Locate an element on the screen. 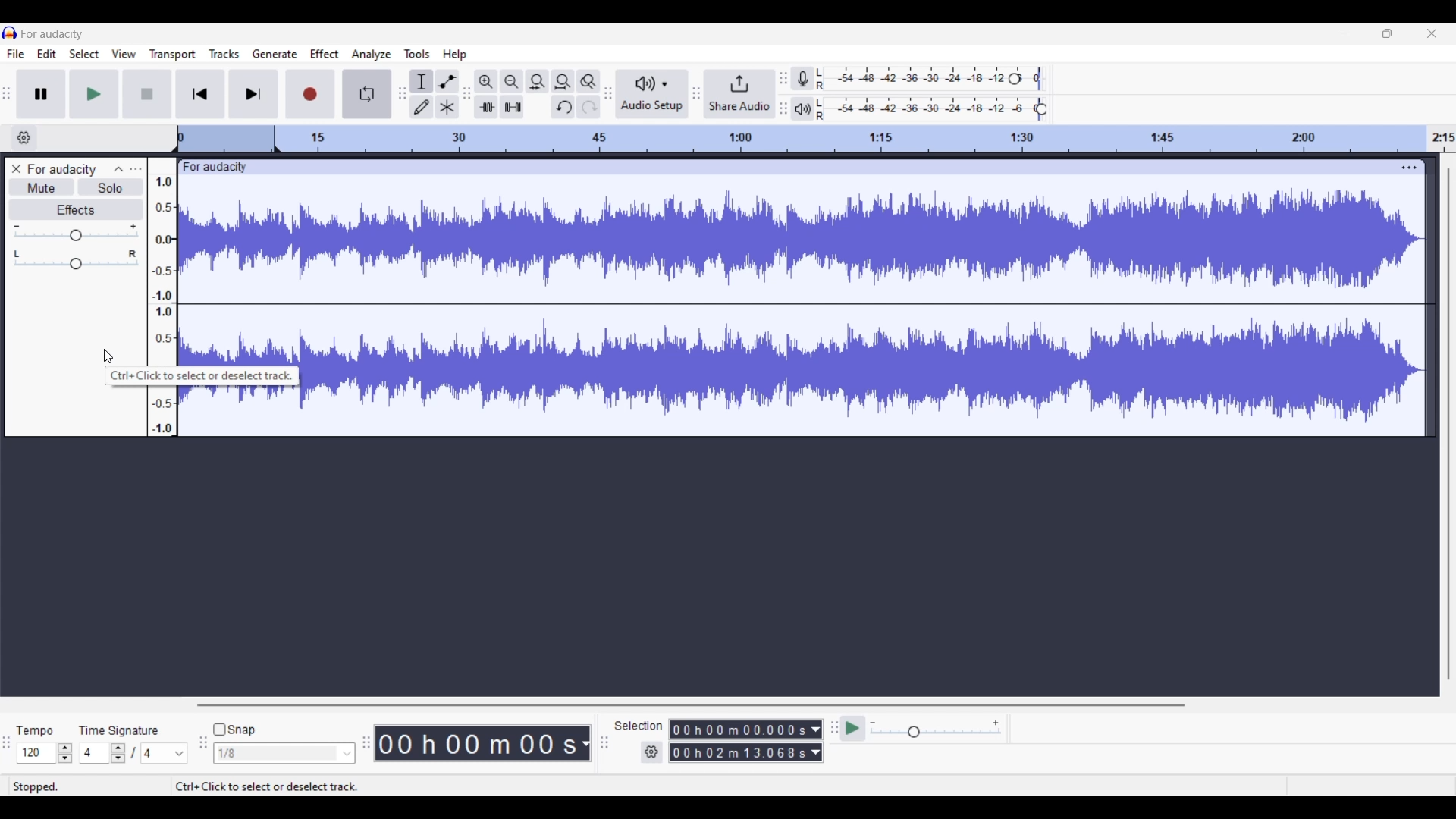  Play/Play once is located at coordinates (93, 94).